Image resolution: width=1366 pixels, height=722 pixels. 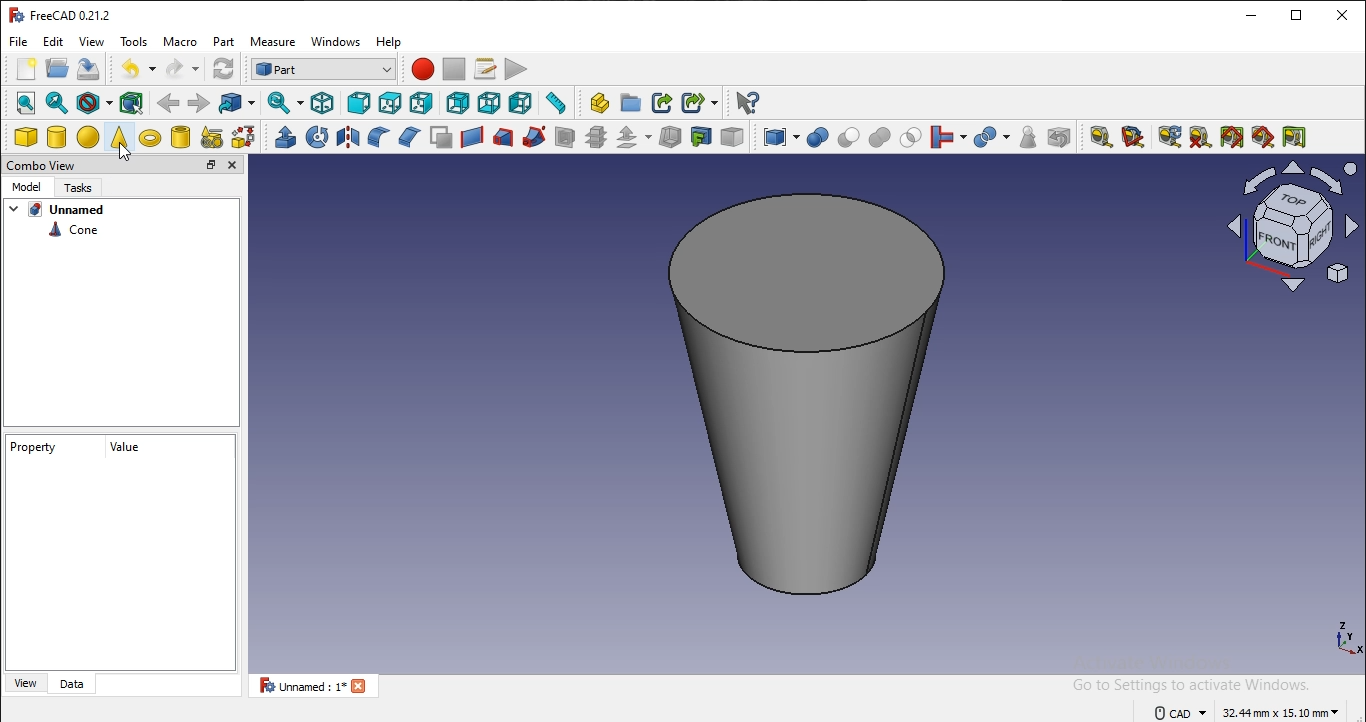 I want to click on windows, so click(x=336, y=42).